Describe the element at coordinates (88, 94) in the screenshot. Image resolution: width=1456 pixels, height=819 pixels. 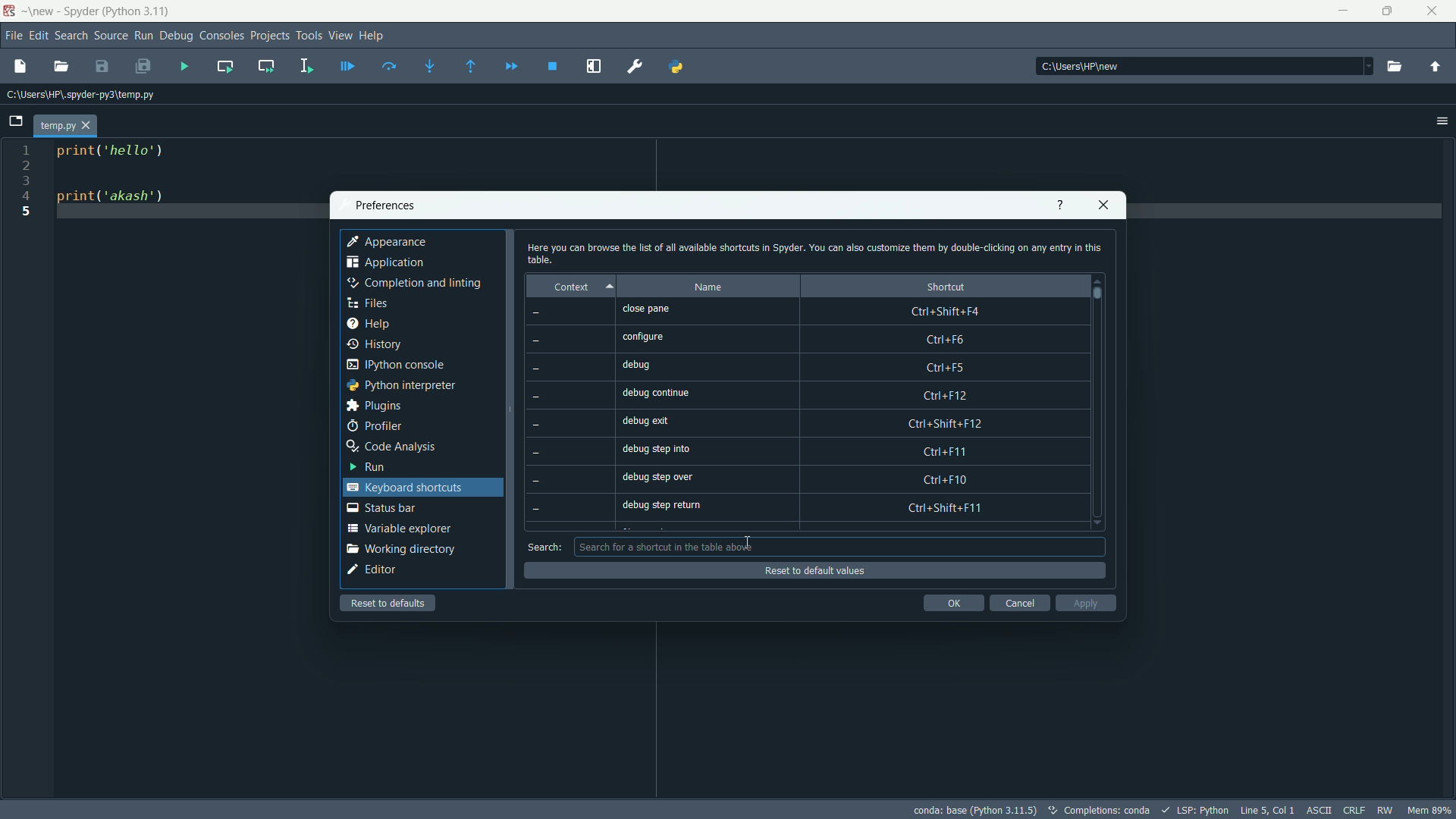
I see `c:\users\hp\.spyder-py3\temp.py` at that location.